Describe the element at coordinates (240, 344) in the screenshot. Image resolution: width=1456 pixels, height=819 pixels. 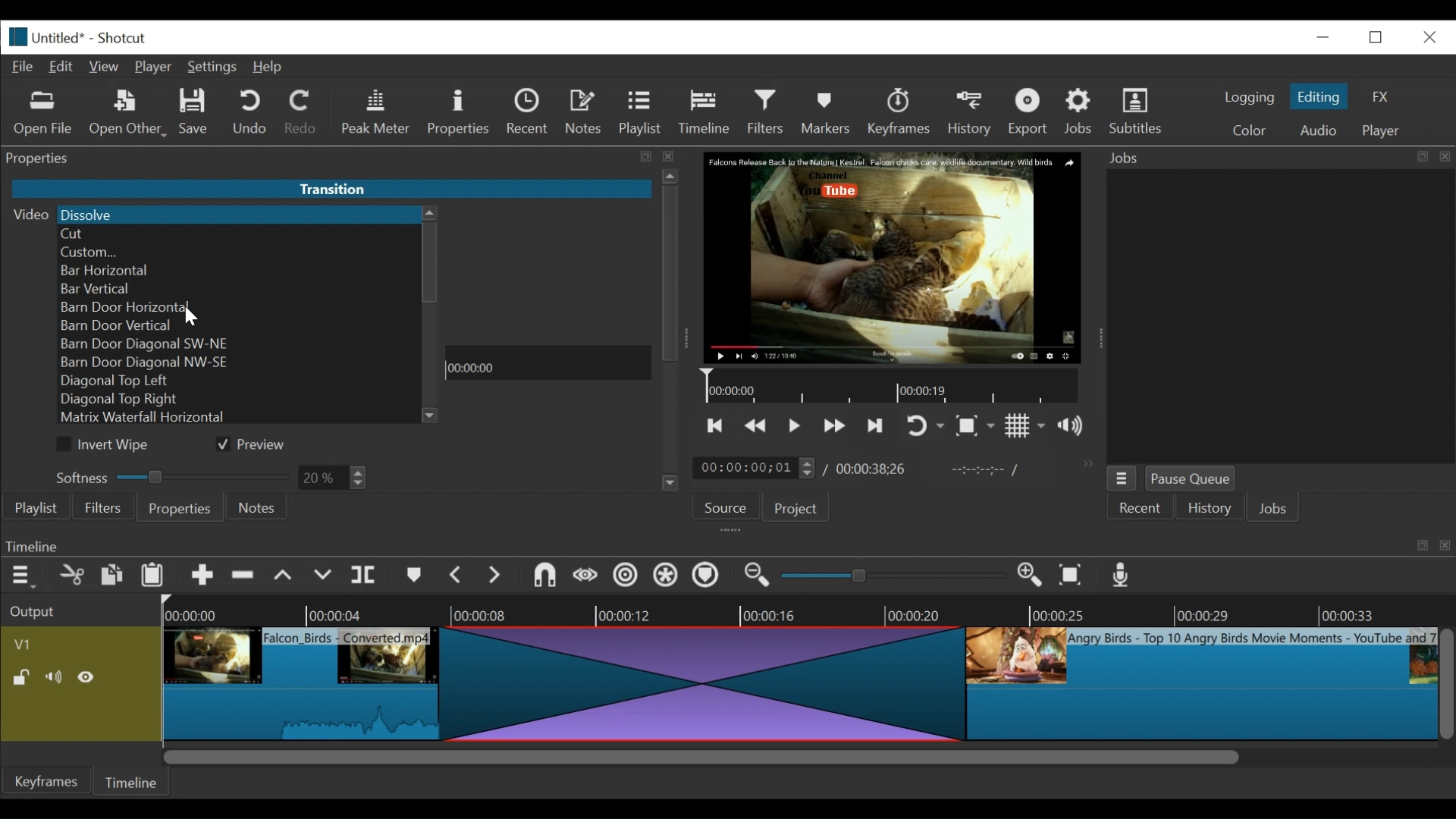
I see `Barn Door Diagonal SW-NE` at that location.